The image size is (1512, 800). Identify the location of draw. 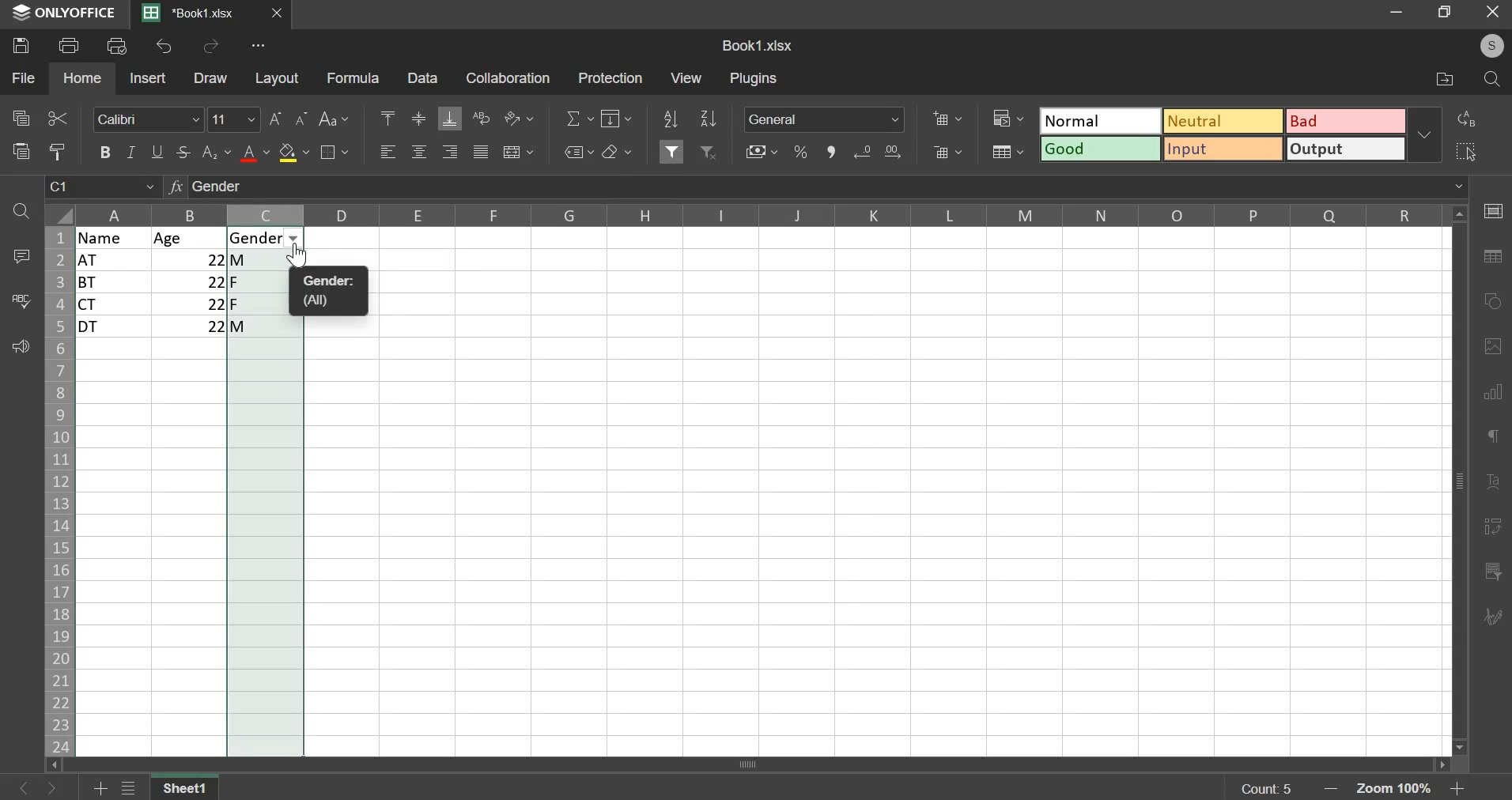
(212, 78).